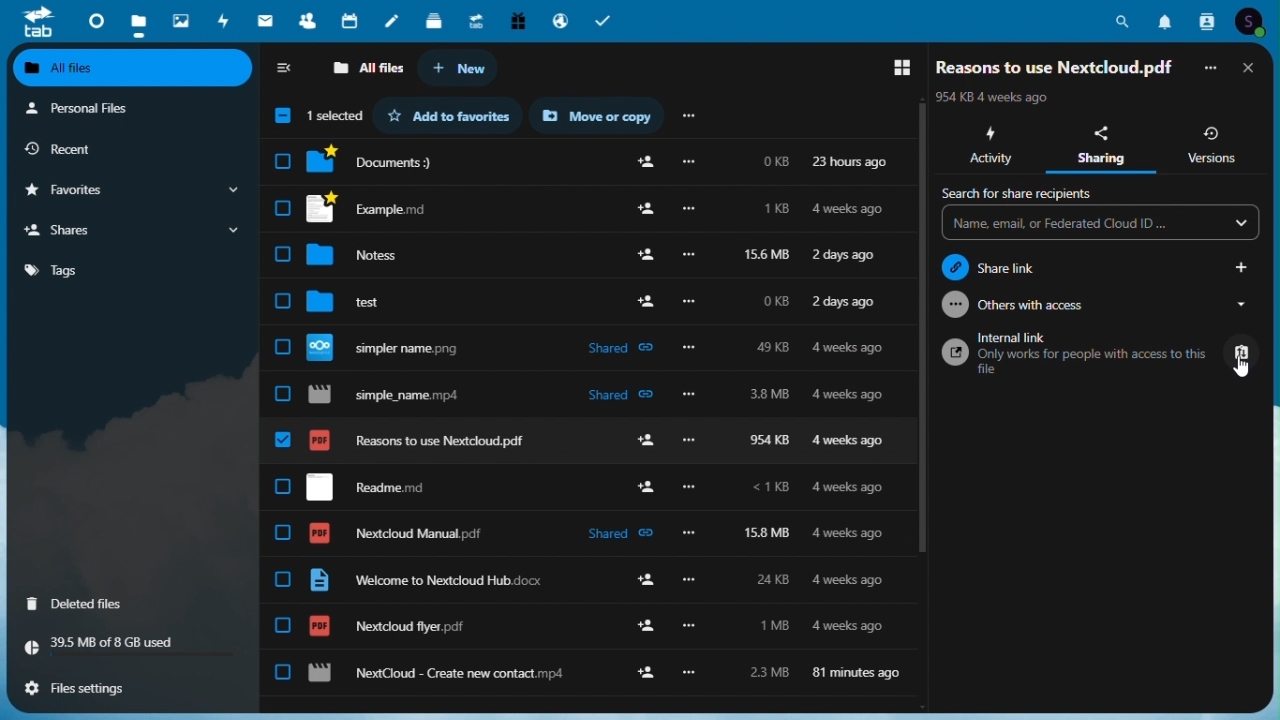 The height and width of the screenshot is (720, 1280). I want to click on 2 days ago, so click(848, 255).